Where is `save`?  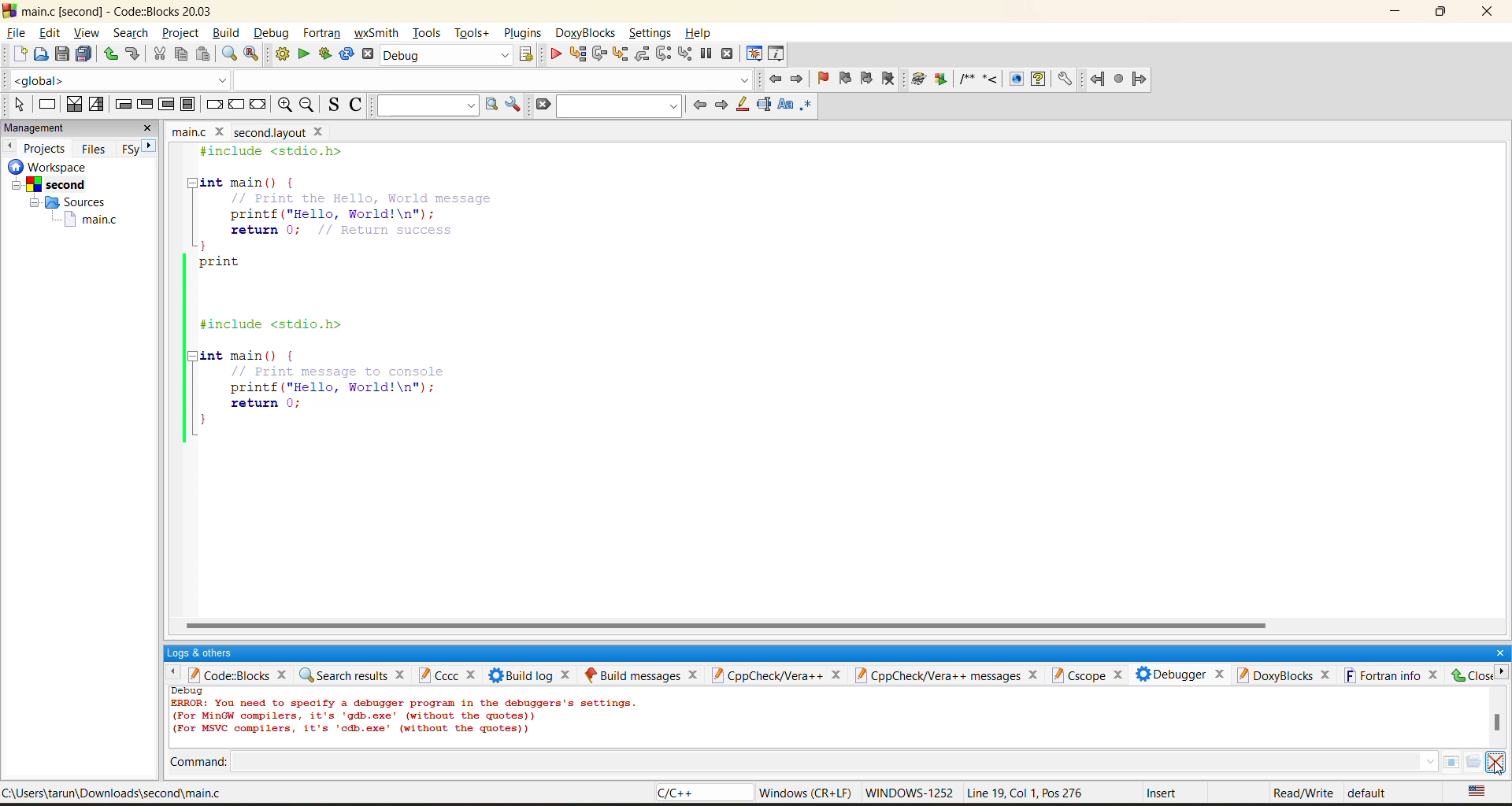 save is located at coordinates (61, 55).